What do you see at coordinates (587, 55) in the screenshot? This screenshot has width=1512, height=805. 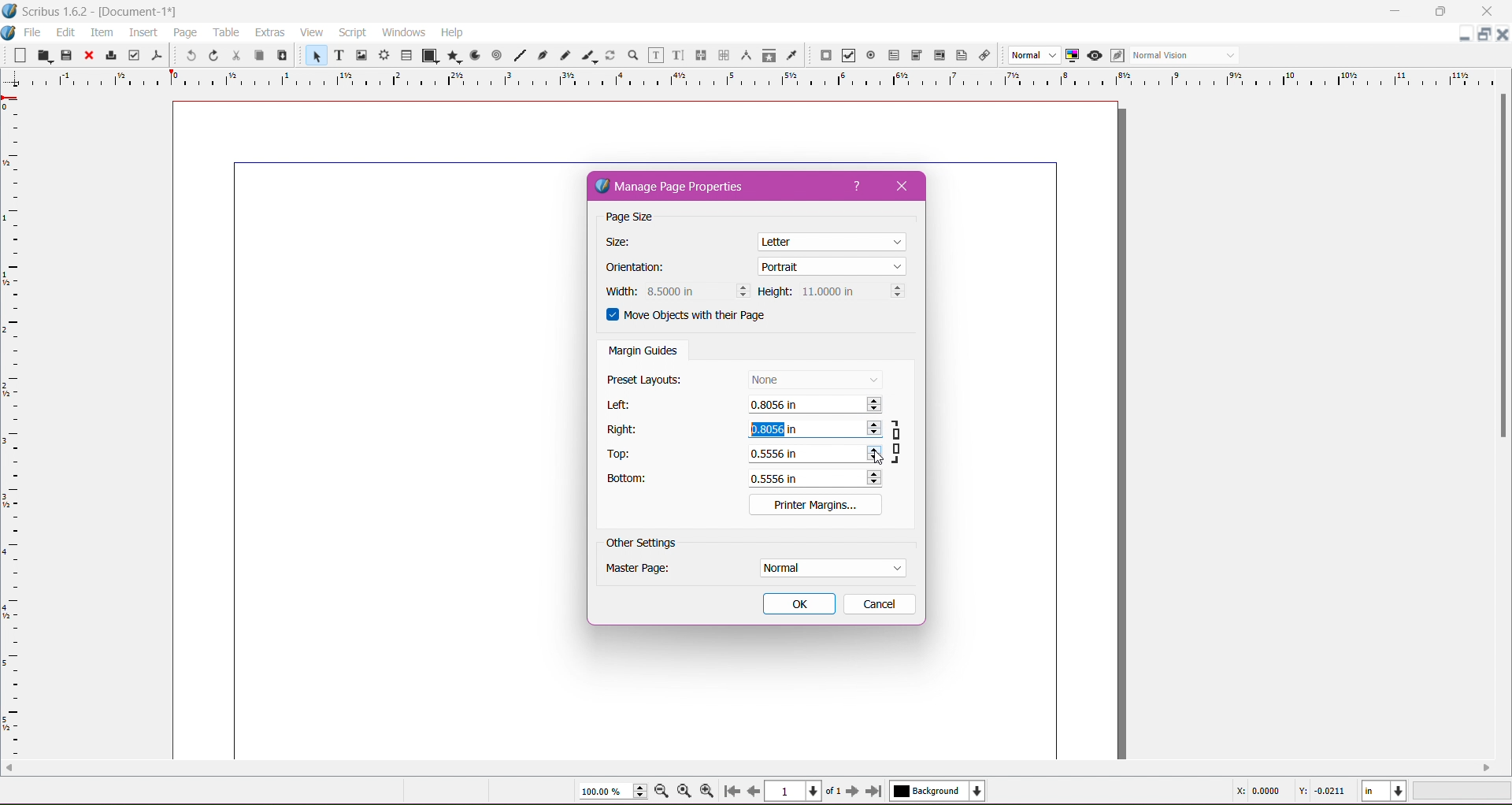 I see `Calligraphic Line` at bounding box center [587, 55].